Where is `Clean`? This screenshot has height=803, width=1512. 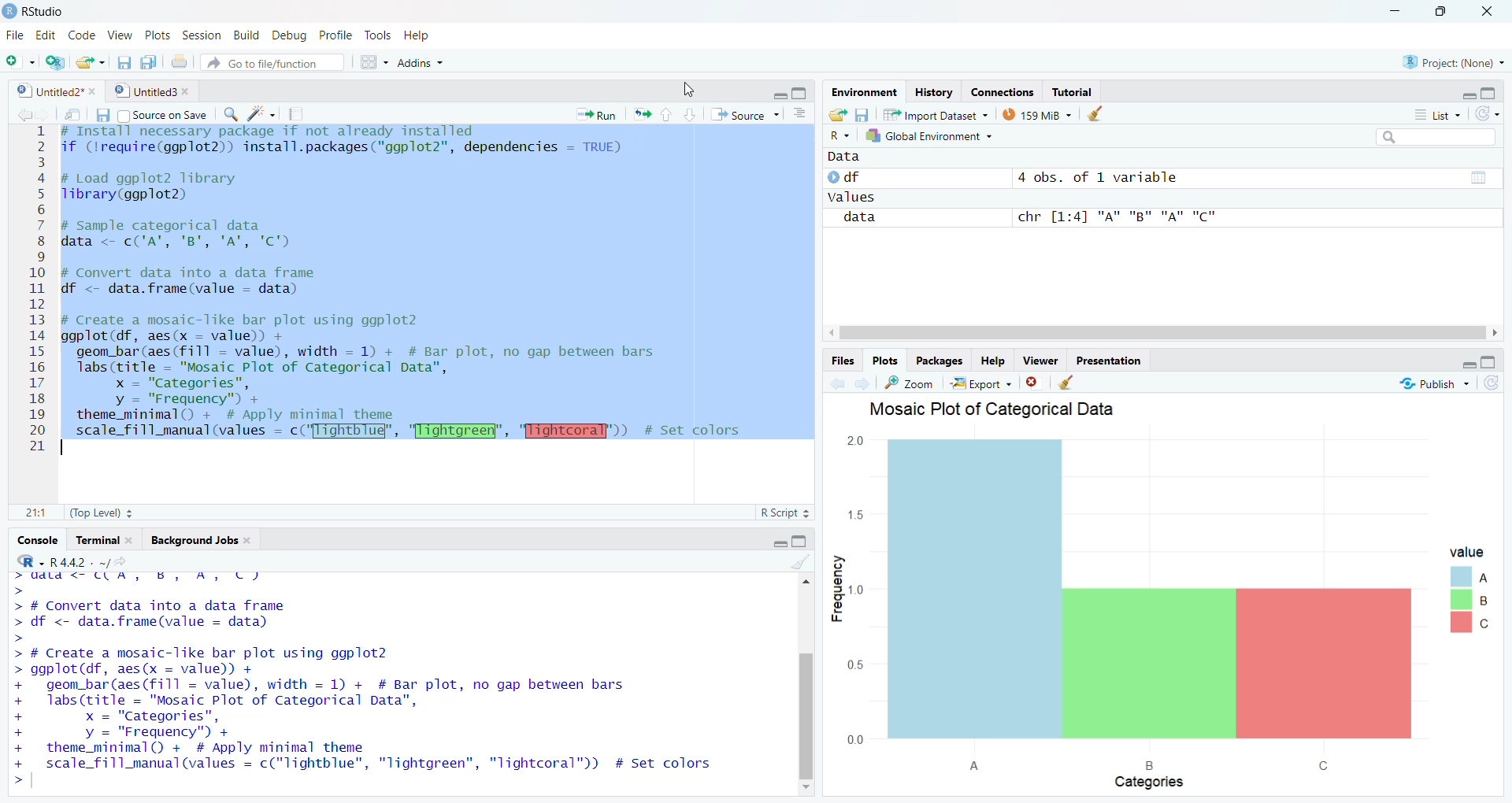
Clean is located at coordinates (801, 562).